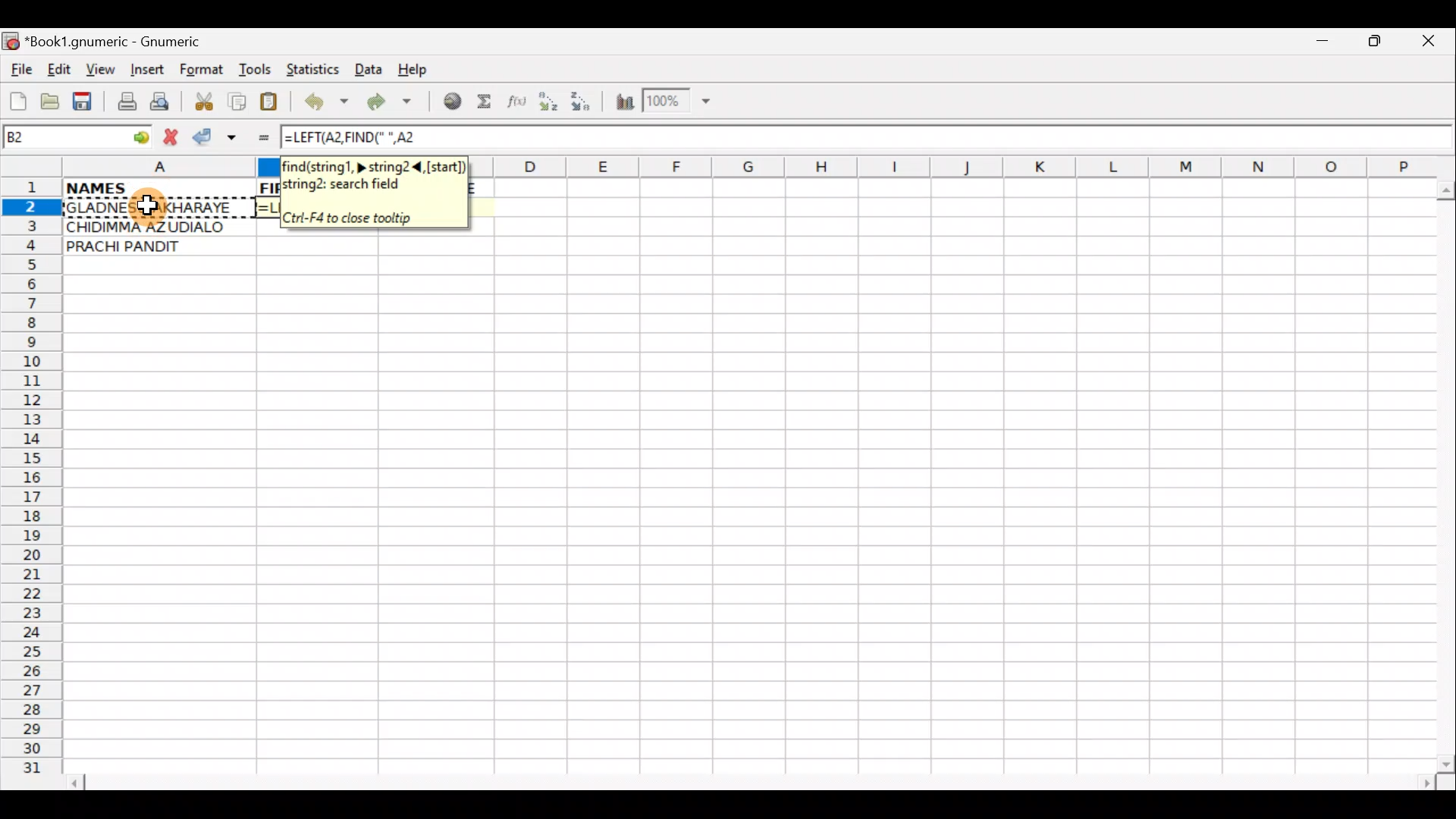  Describe the element at coordinates (450, 102) in the screenshot. I see `Insert hyperlink` at that location.